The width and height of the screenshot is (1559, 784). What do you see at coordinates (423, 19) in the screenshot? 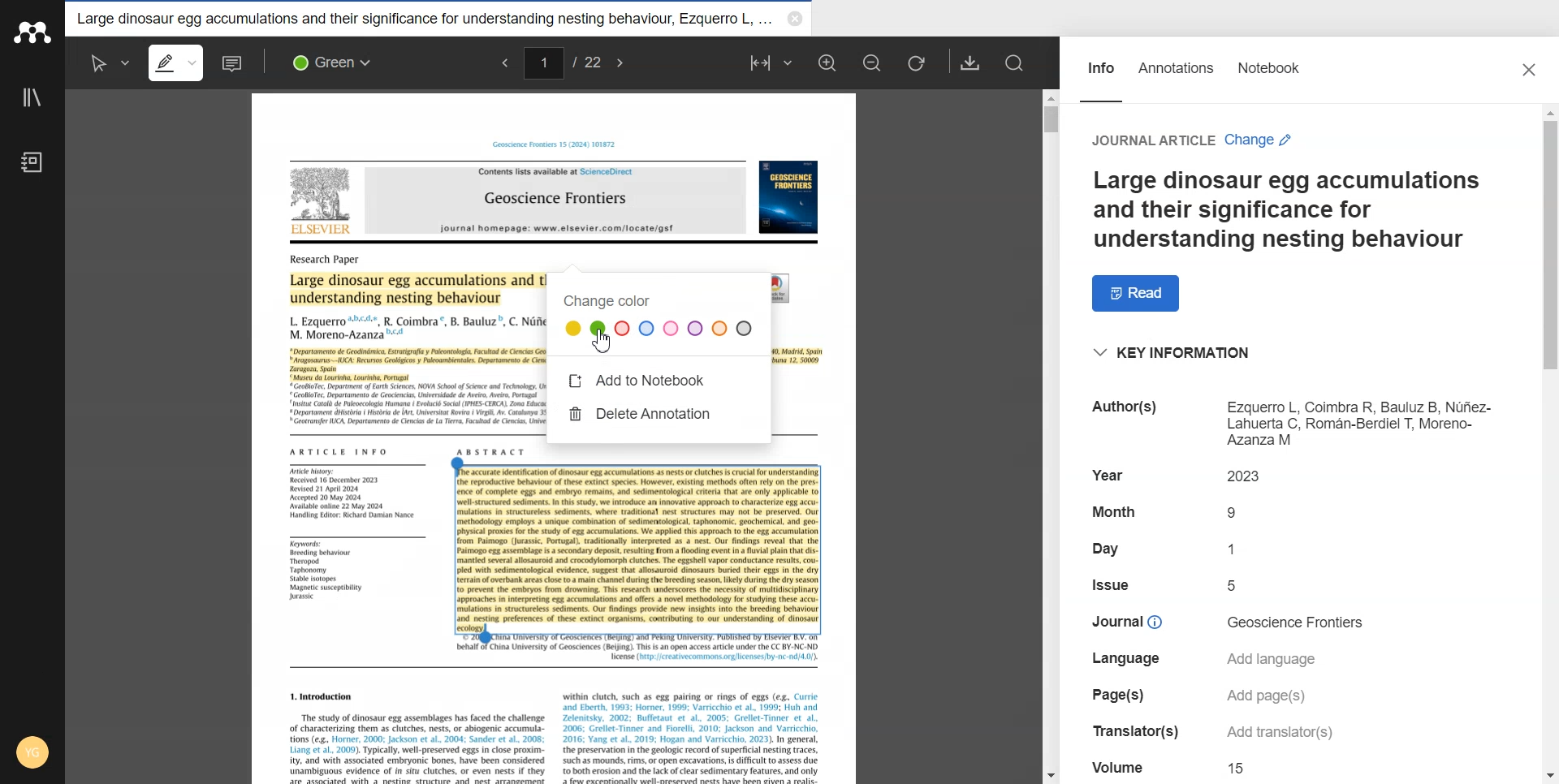
I see `Folder` at bounding box center [423, 19].